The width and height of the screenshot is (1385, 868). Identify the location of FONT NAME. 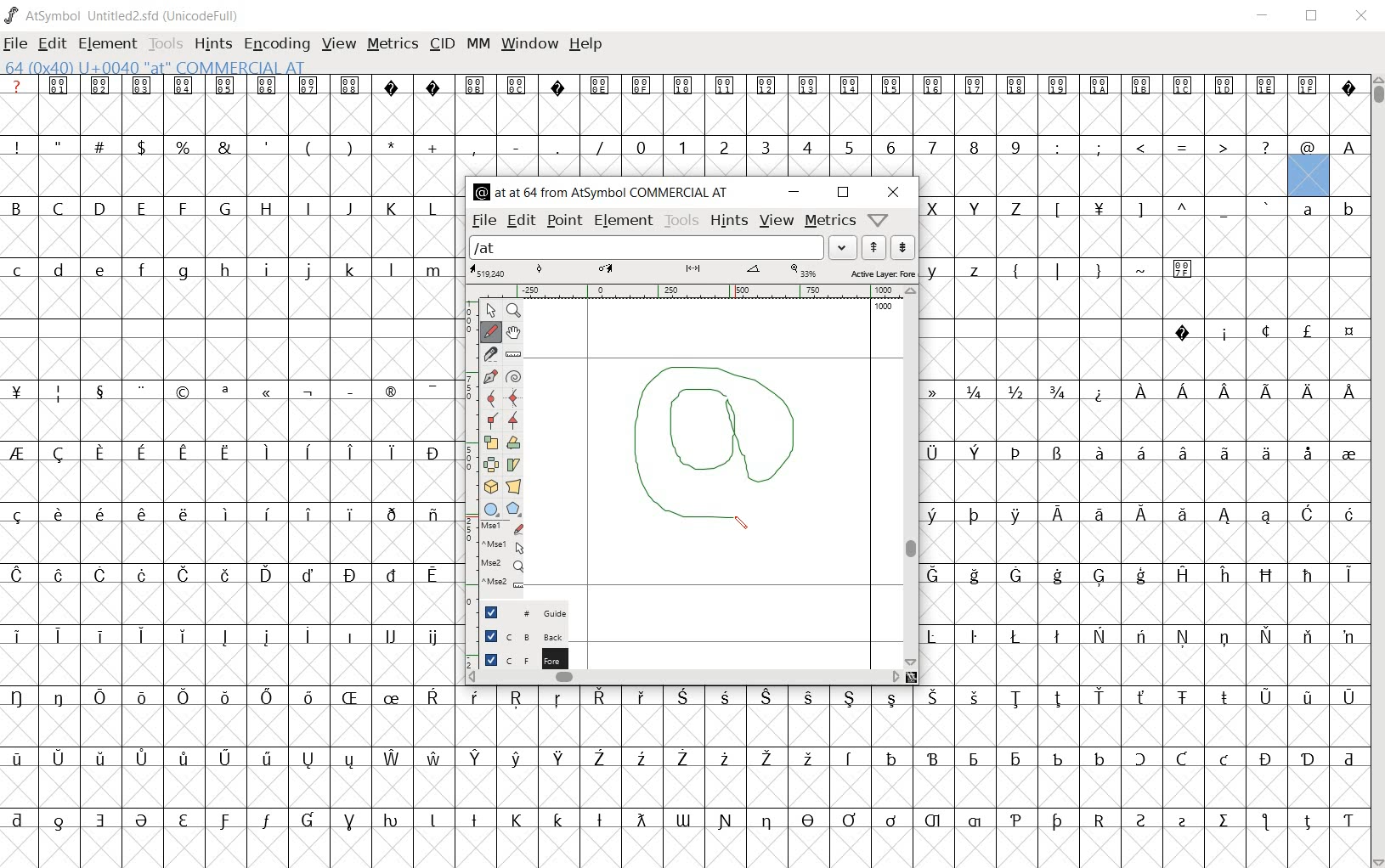
(124, 15).